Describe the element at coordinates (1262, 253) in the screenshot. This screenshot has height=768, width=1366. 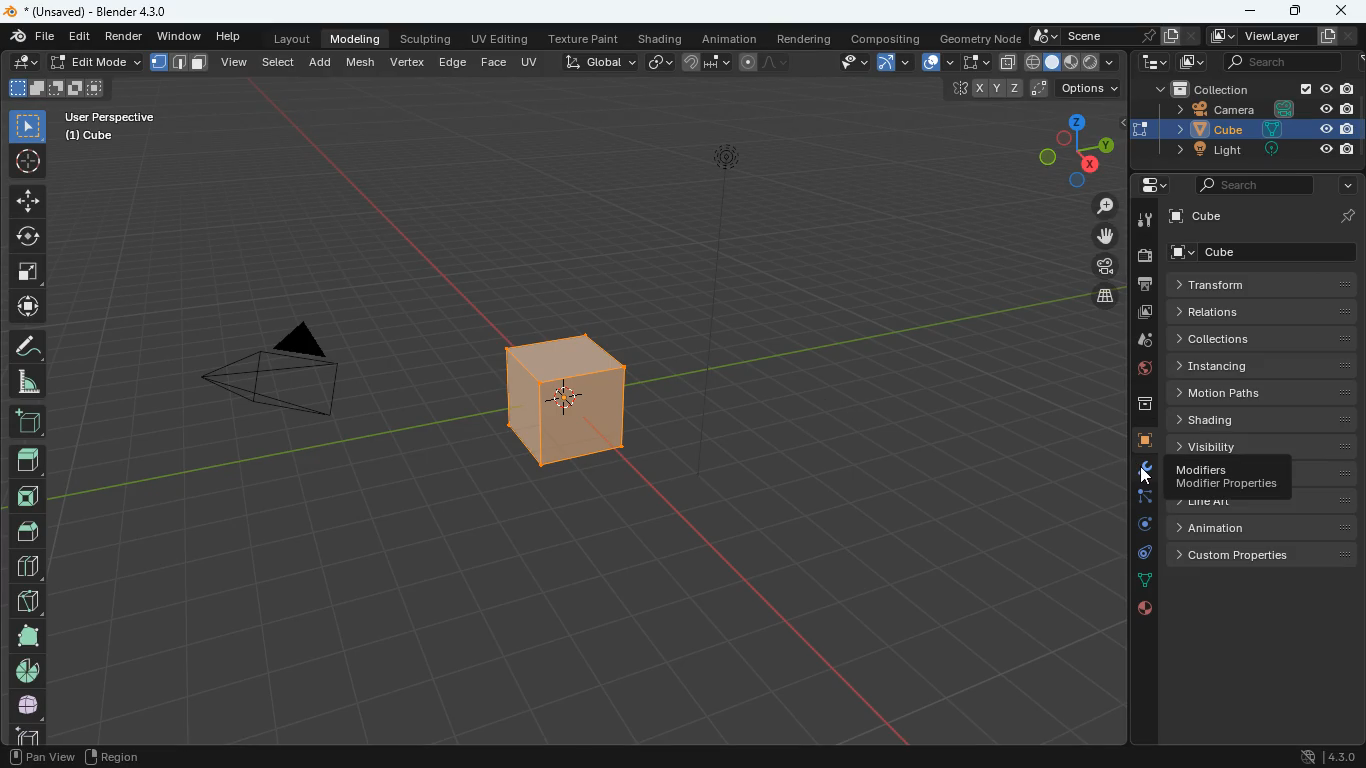
I see `cube` at that location.